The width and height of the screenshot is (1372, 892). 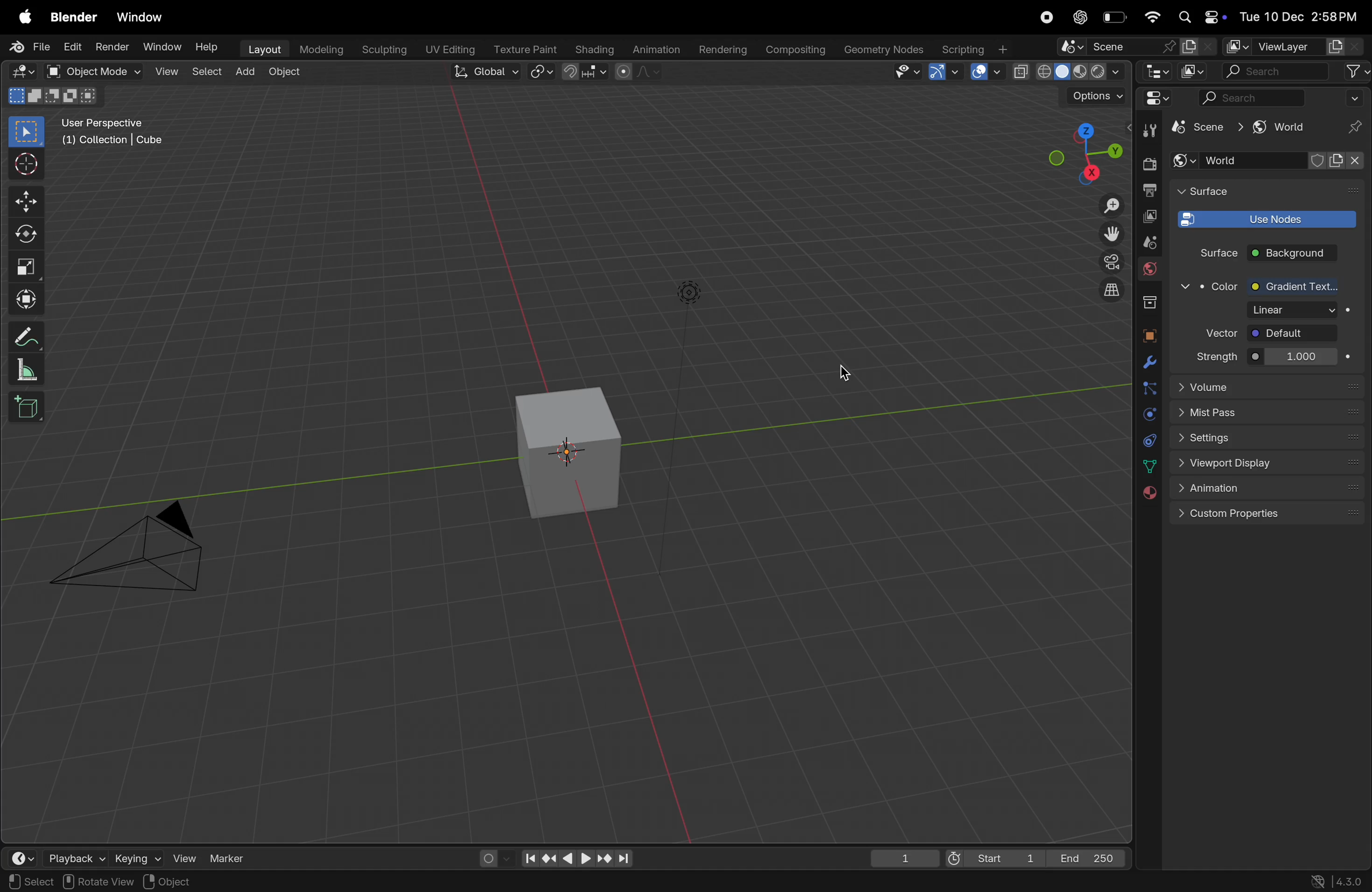 What do you see at coordinates (1287, 127) in the screenshot?
I see `` at bounding box center [1287, 127].